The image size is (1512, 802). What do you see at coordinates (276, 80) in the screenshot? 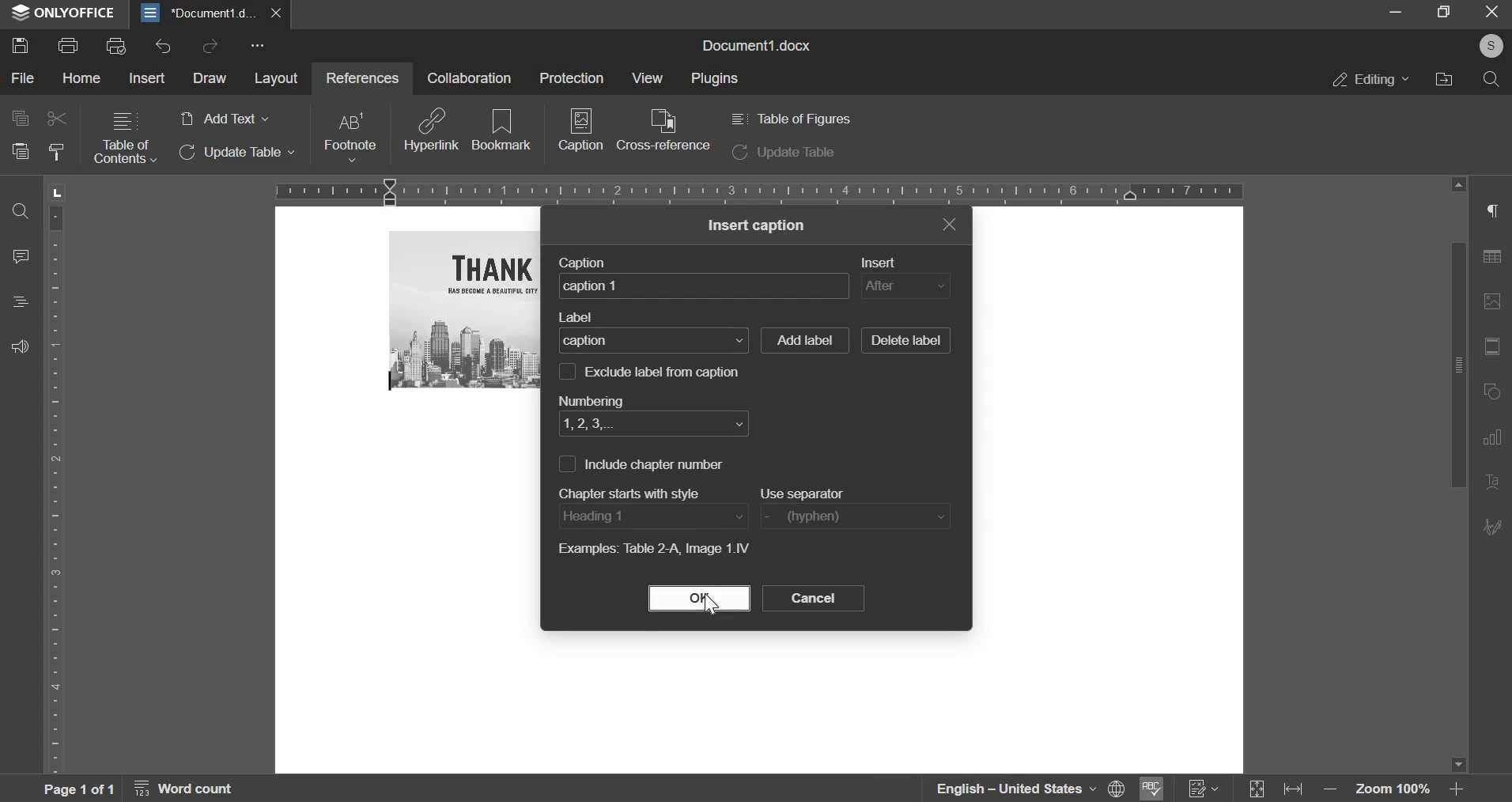
I see `layout` at bounding box center [276, 80].